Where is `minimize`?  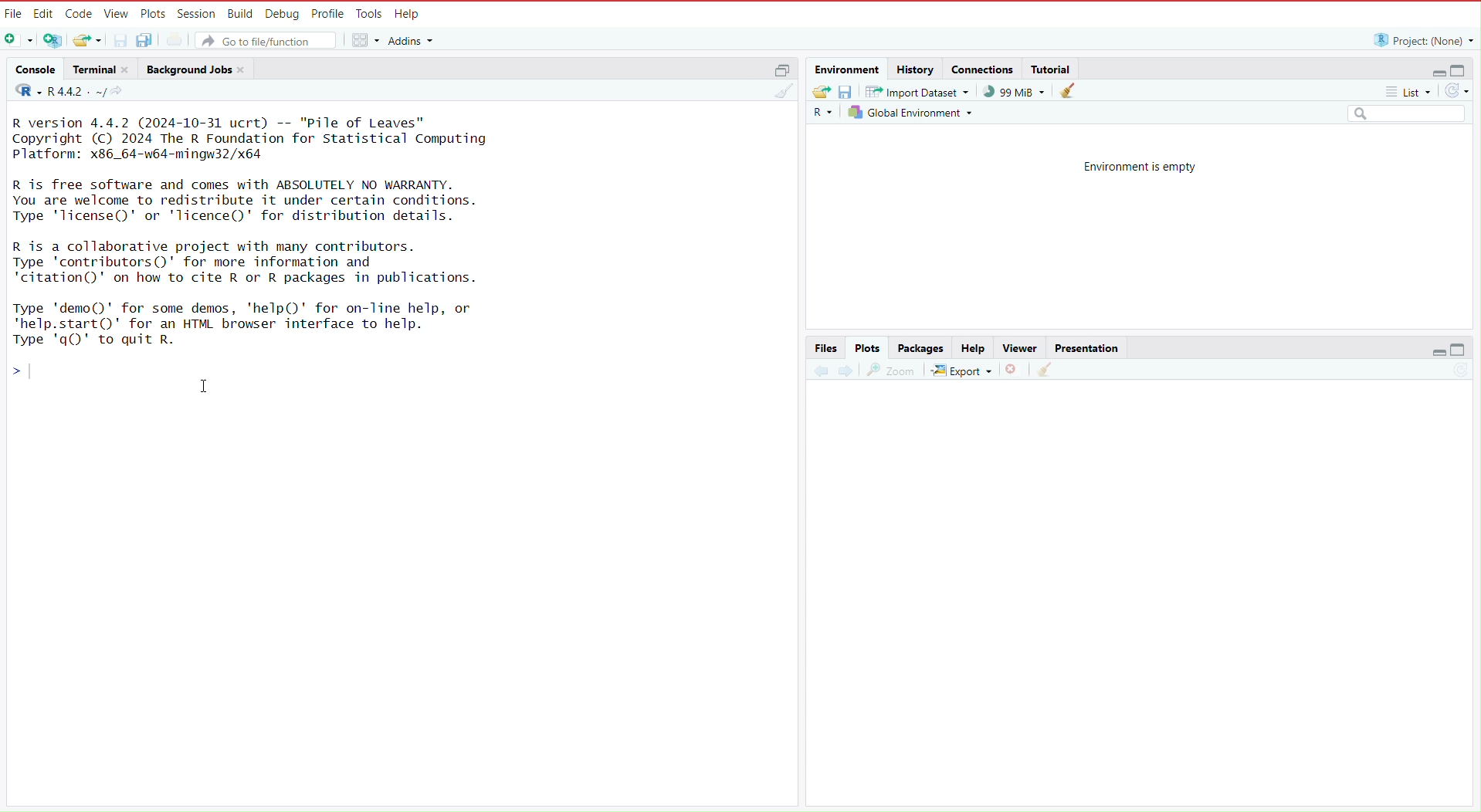
minimize is located at coordinates (1432, 69).